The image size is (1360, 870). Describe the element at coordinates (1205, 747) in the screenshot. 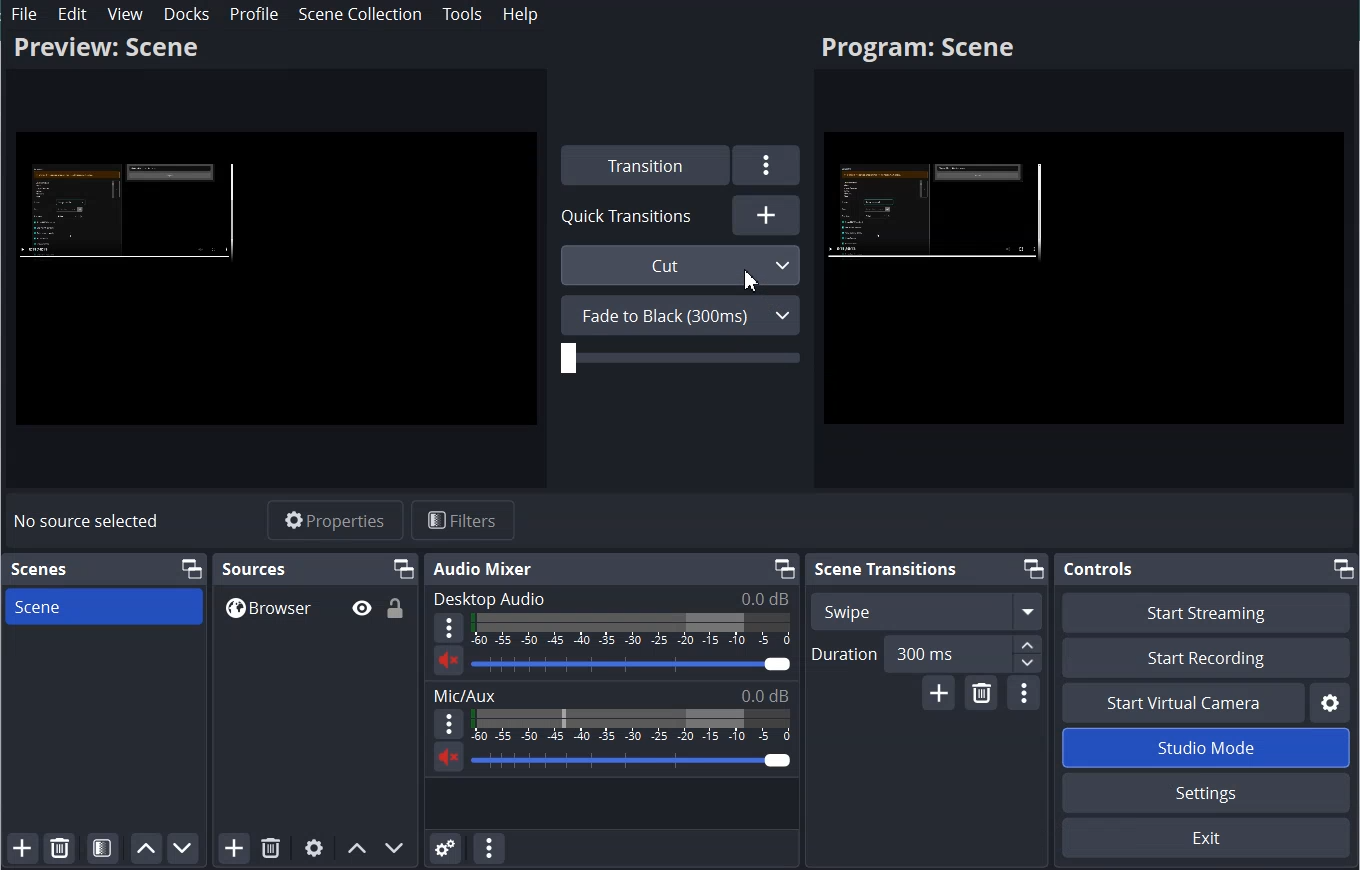

I see `Studio Mode` at that location.